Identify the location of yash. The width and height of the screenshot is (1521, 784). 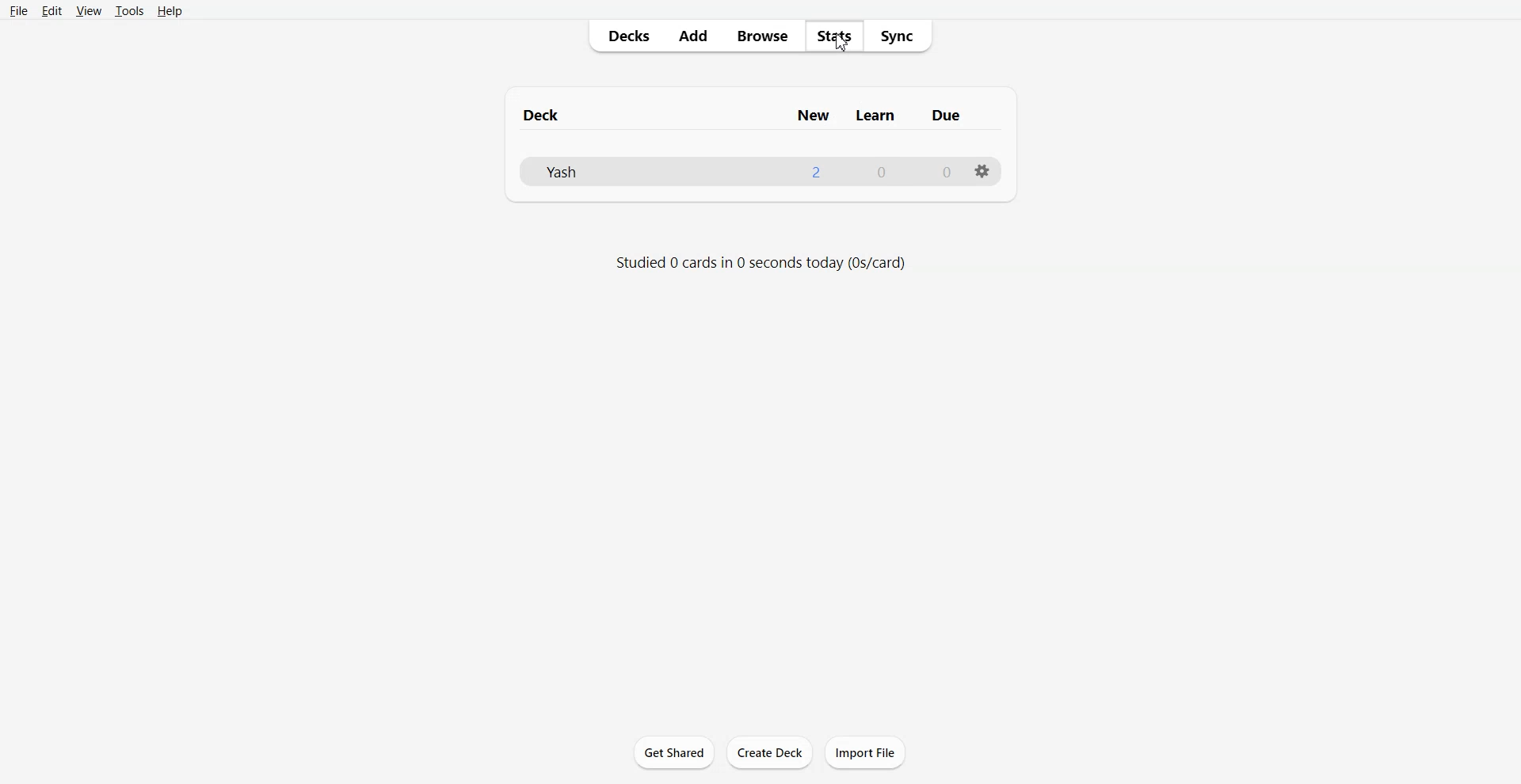
(558, 173).